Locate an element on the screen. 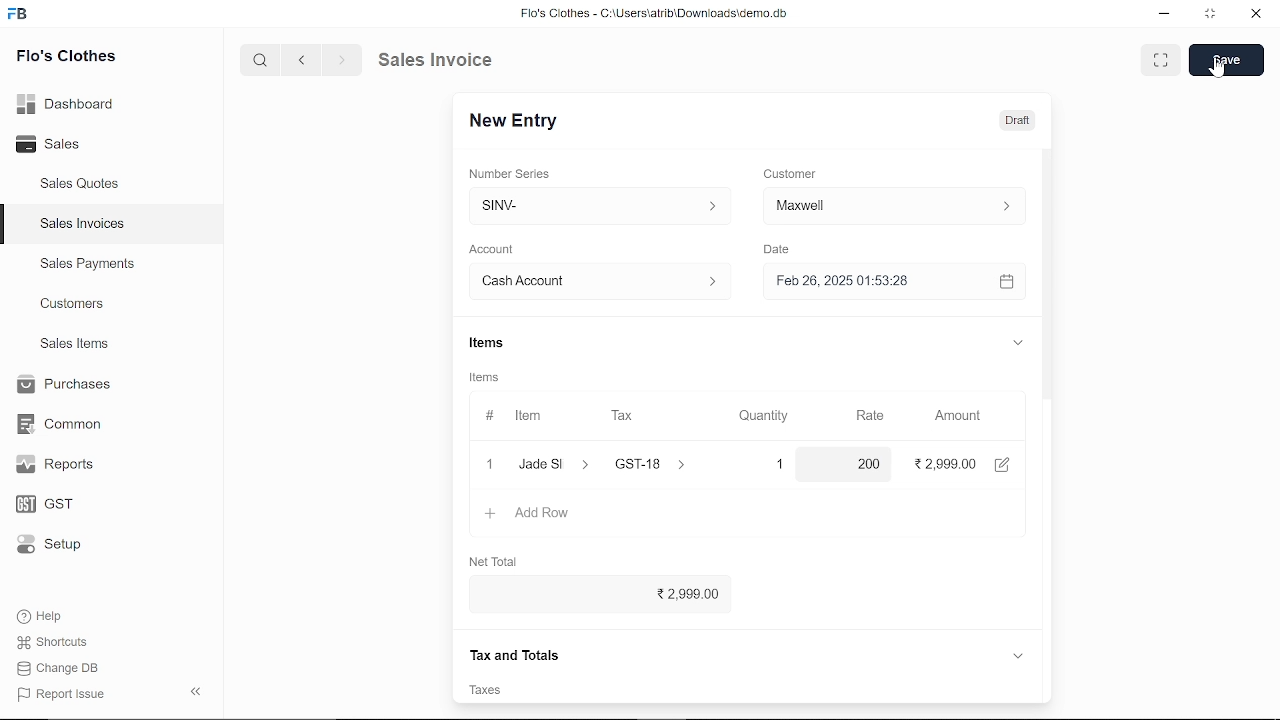 The width and height of the screenshot is (1280, 720). 2,999.00 is located at coordinates (948, 463).